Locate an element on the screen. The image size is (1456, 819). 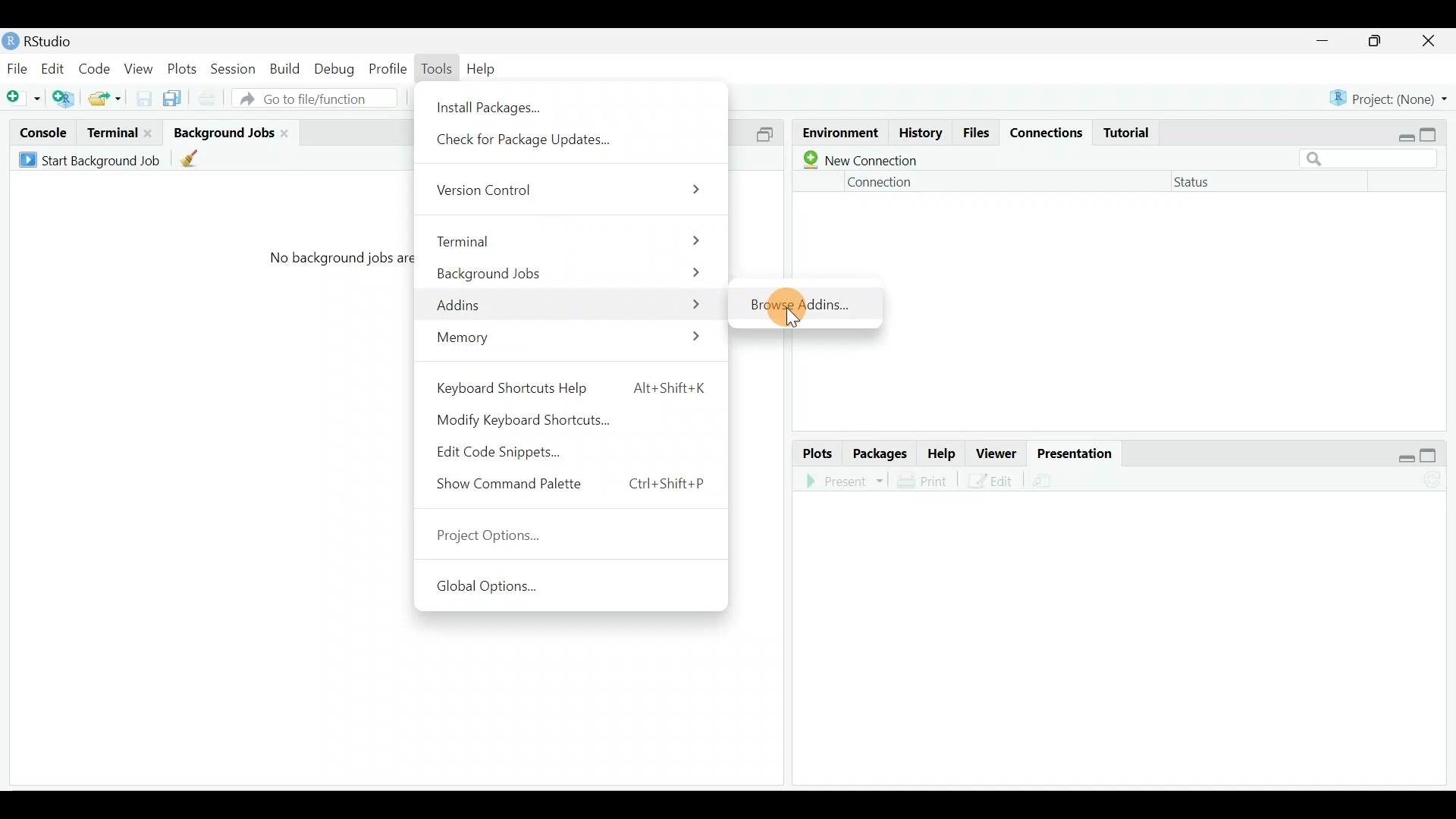
Help is located at coordinates (942, 452).